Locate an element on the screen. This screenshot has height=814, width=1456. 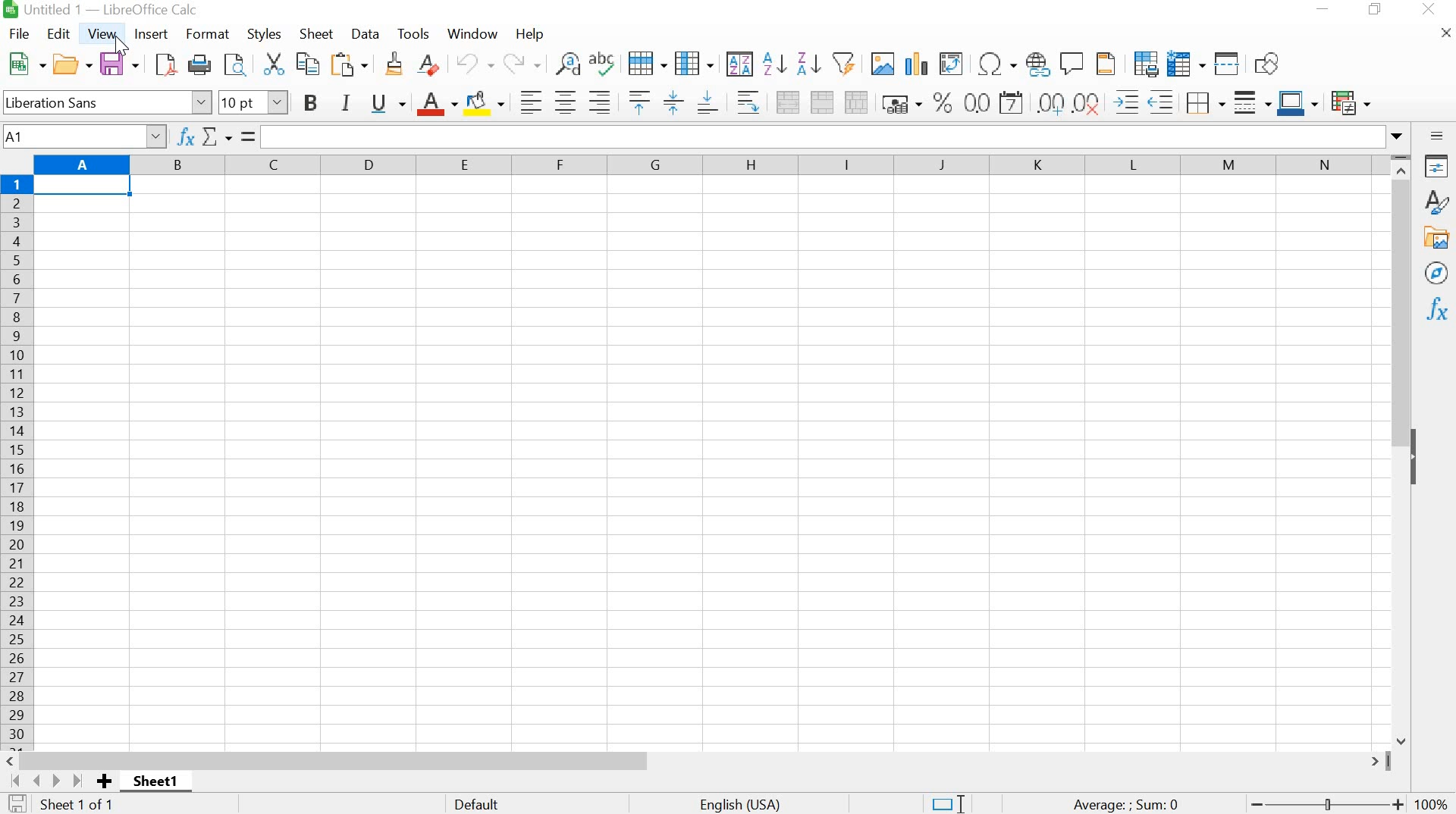
NAVIGATOR is located at coordinates (1436, 274).